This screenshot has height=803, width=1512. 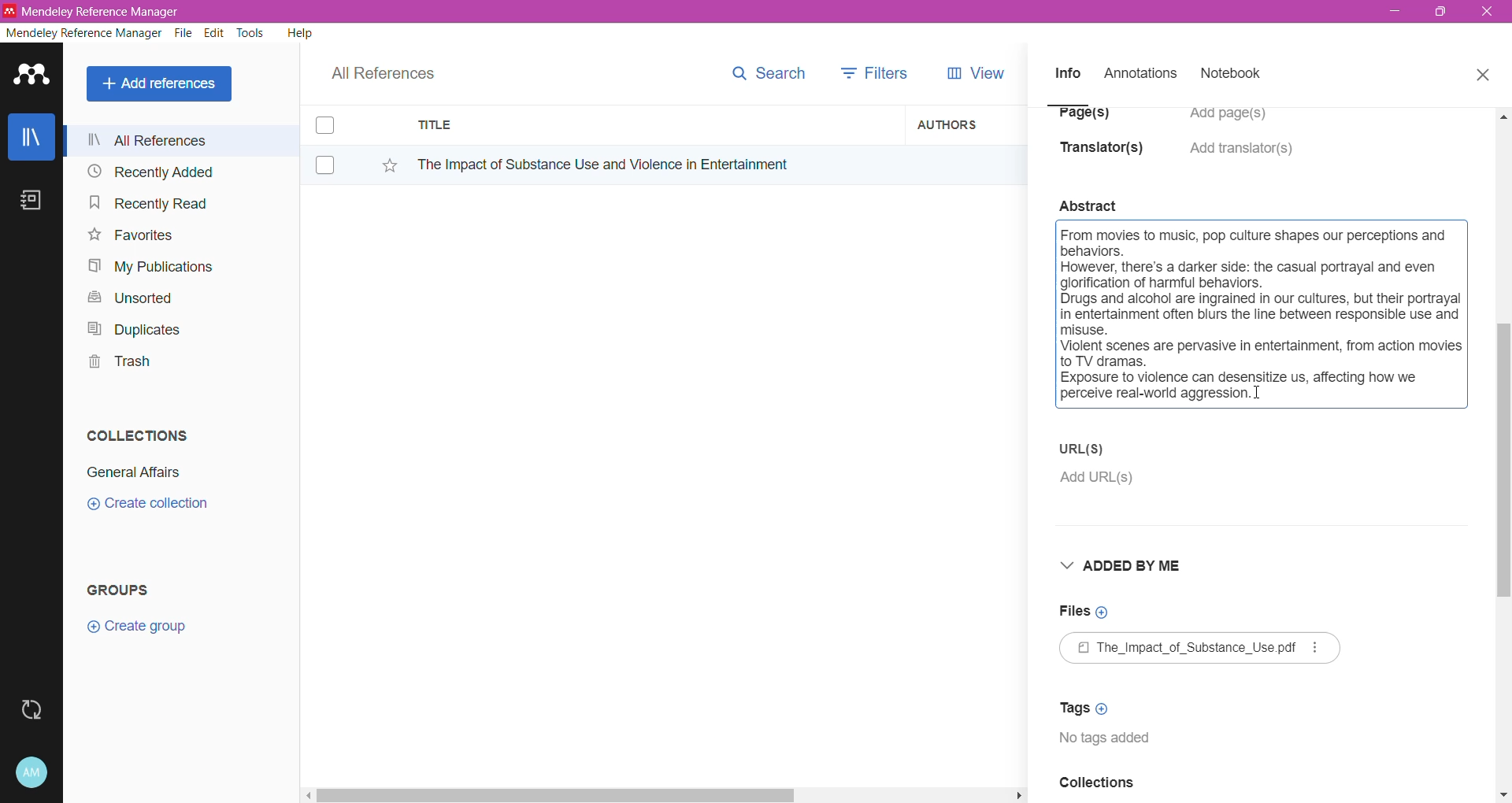 What do you see at coordinates (140, 632) in the screenshot?
I see `Click to Create Group` at bounding box center [140, 632].